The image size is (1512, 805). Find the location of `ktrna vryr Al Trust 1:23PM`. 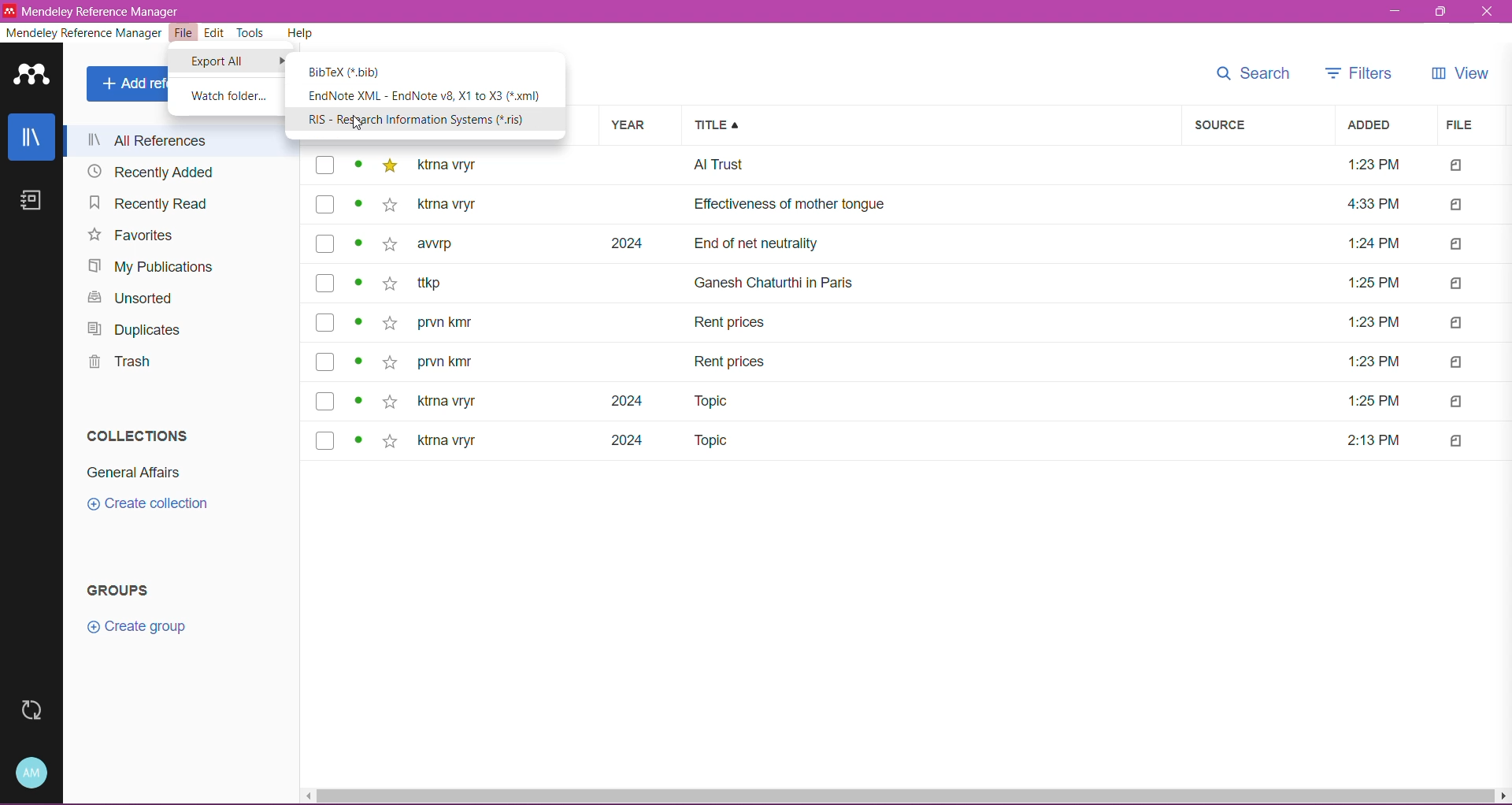

ktrna vryr Al Trust 1:23PM is located at coordinates (912, 168).